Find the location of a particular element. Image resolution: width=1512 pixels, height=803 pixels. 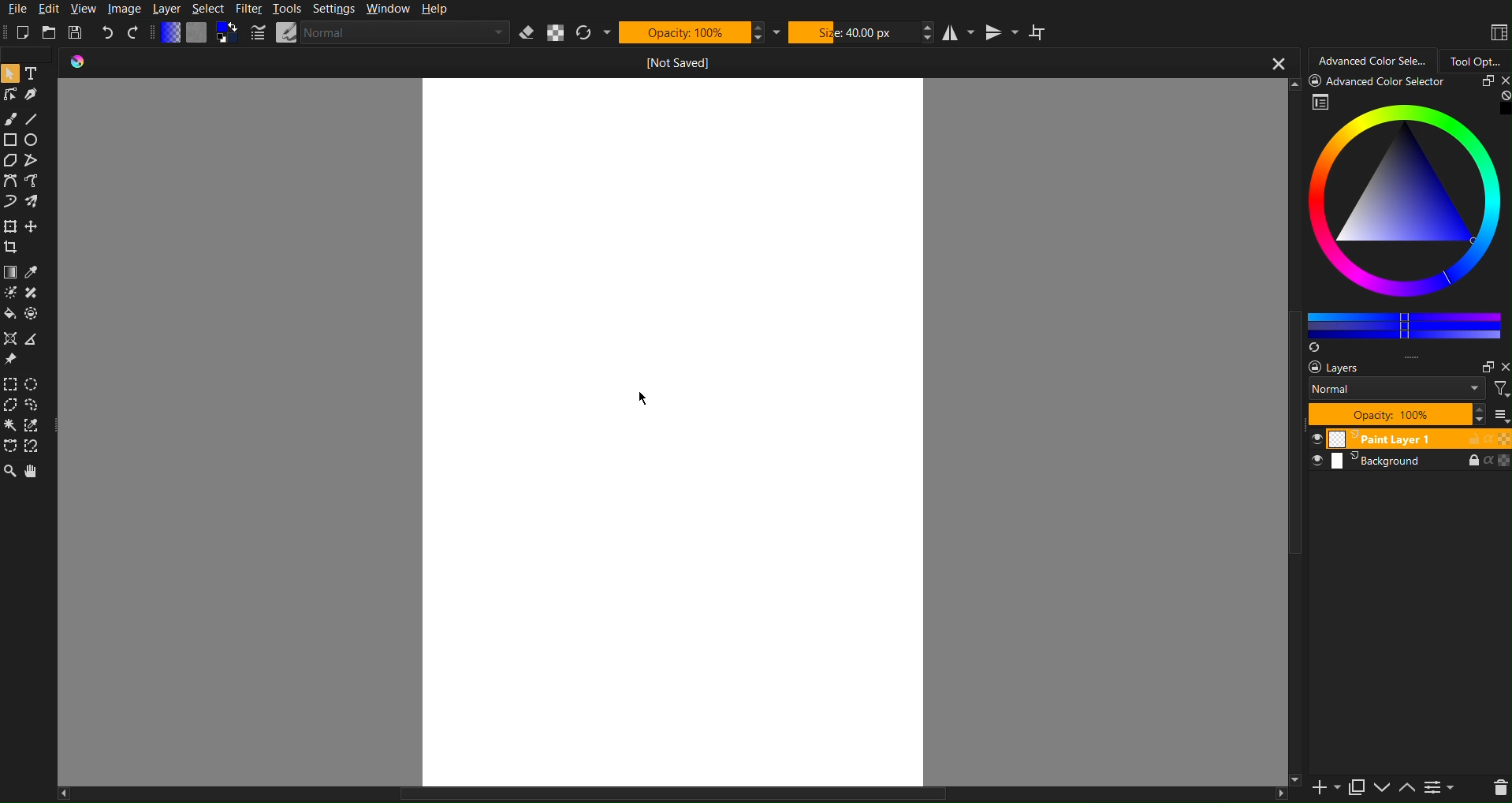

layers is located at coordinates (1327, 367).